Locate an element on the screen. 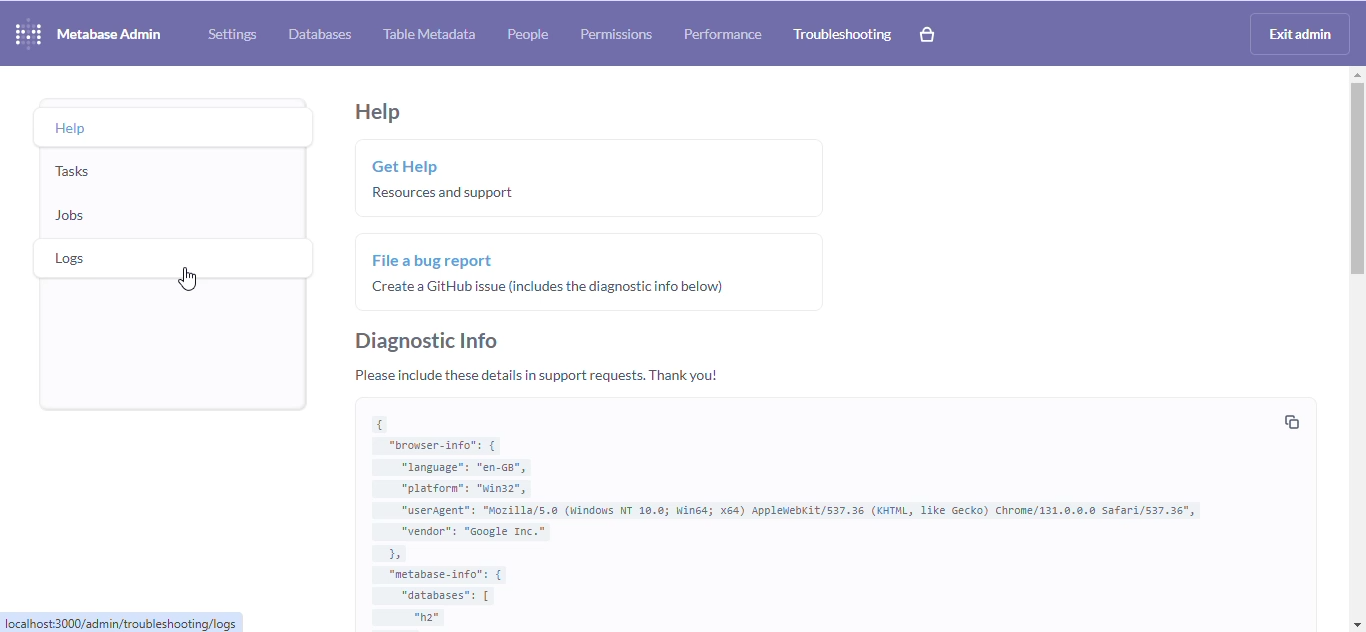 This screenshot has height=632, width=1366. people is located at coordinates (528, 34).